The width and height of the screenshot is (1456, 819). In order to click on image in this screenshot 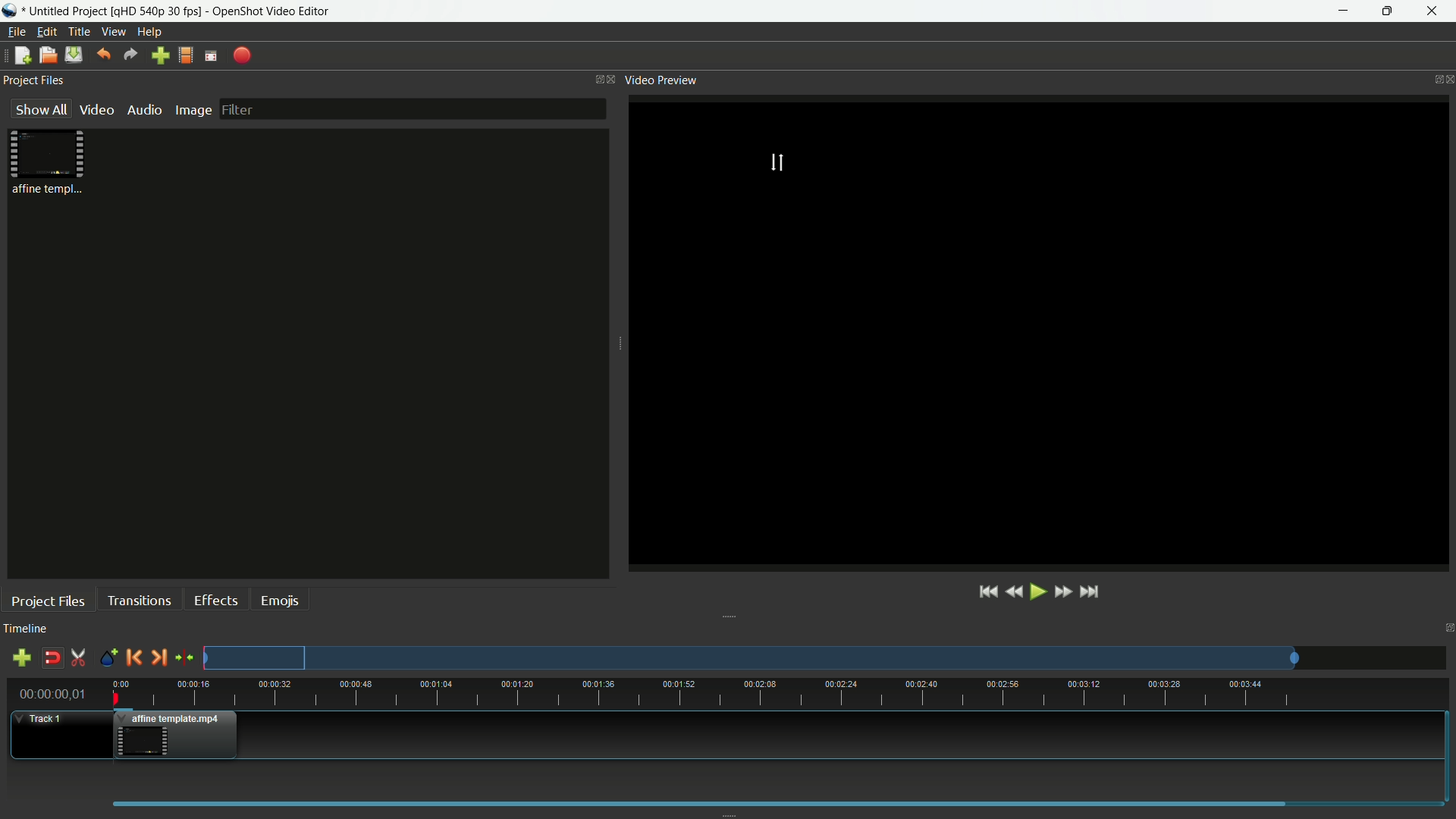, I will do `click(192, 110)`.